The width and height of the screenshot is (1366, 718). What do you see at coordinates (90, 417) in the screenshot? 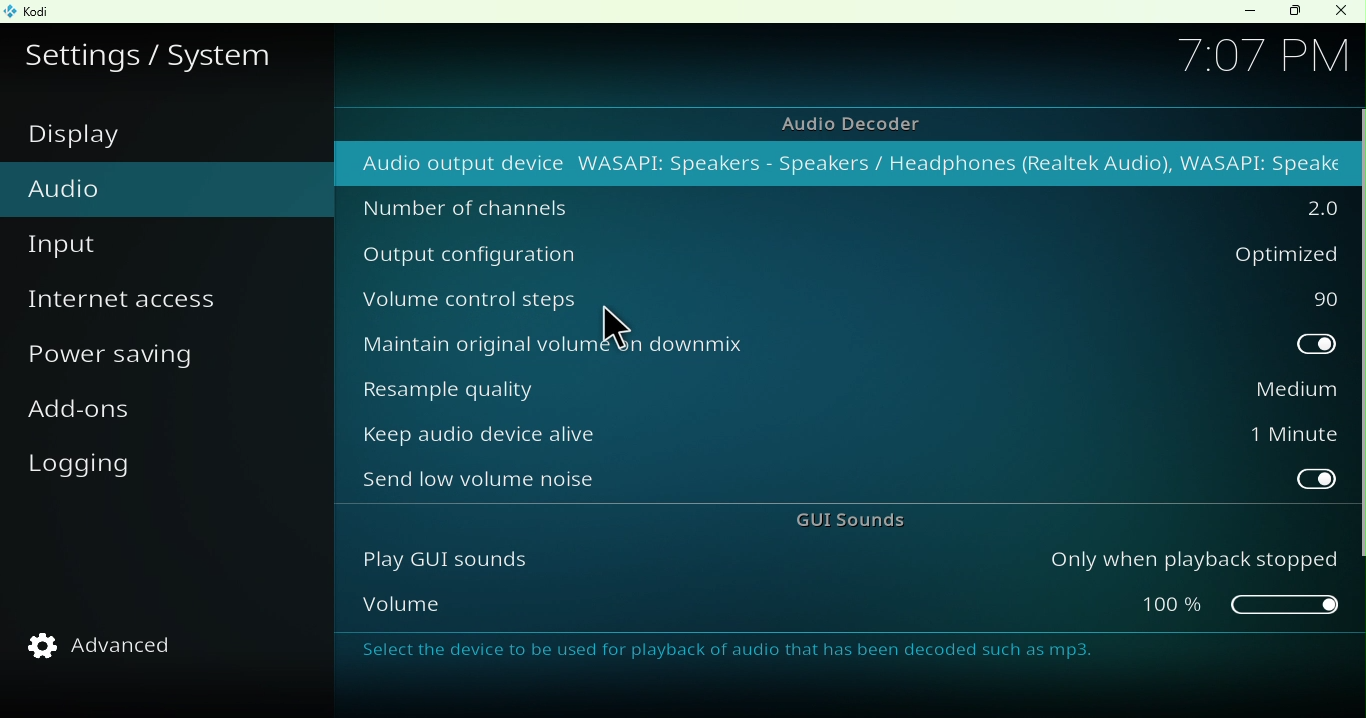
I see `Add-ons` at bounding box center [90, 417].